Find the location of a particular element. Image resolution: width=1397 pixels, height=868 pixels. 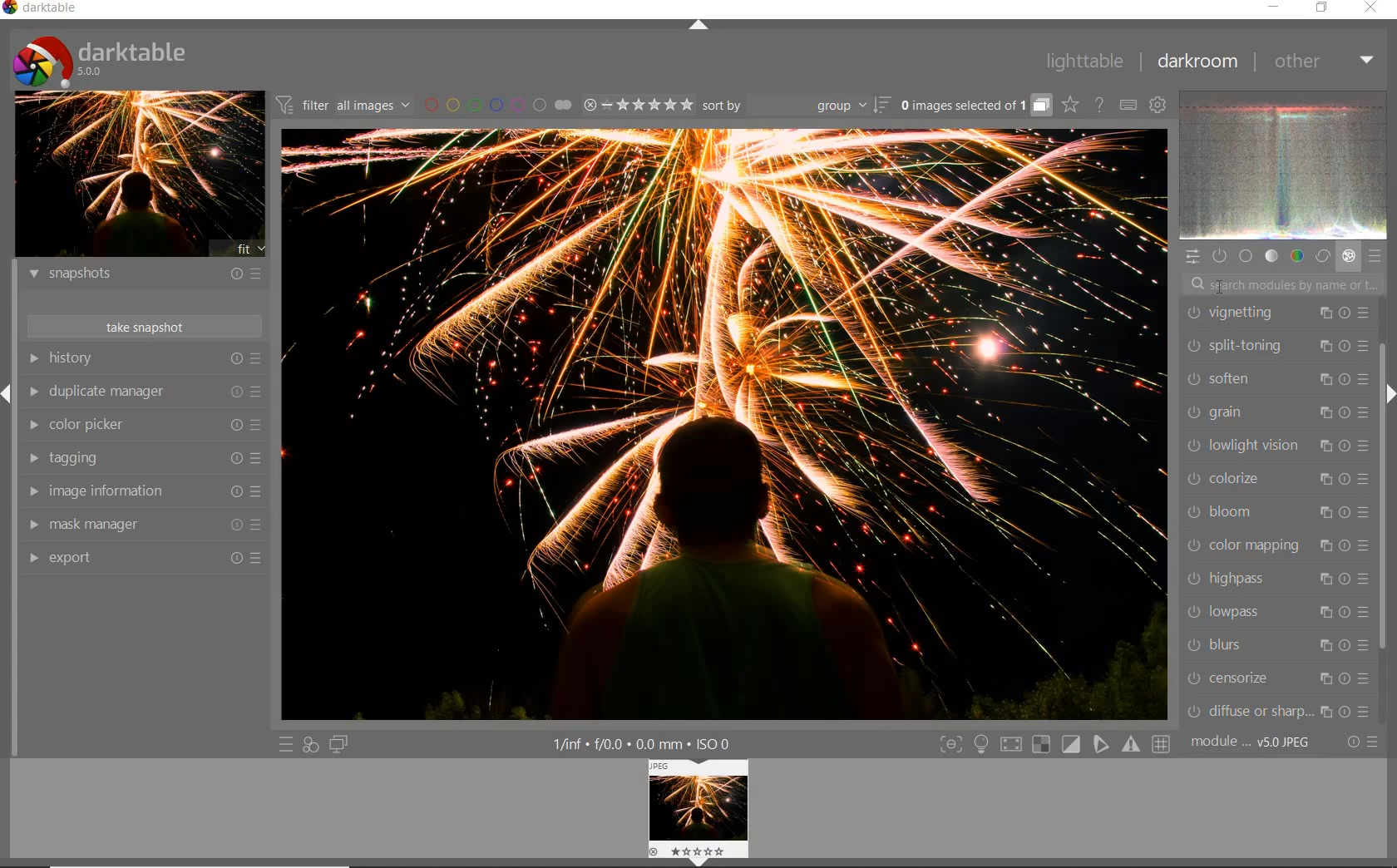

click to change overlays on thumbnails is located at coordinates (1069, 104).